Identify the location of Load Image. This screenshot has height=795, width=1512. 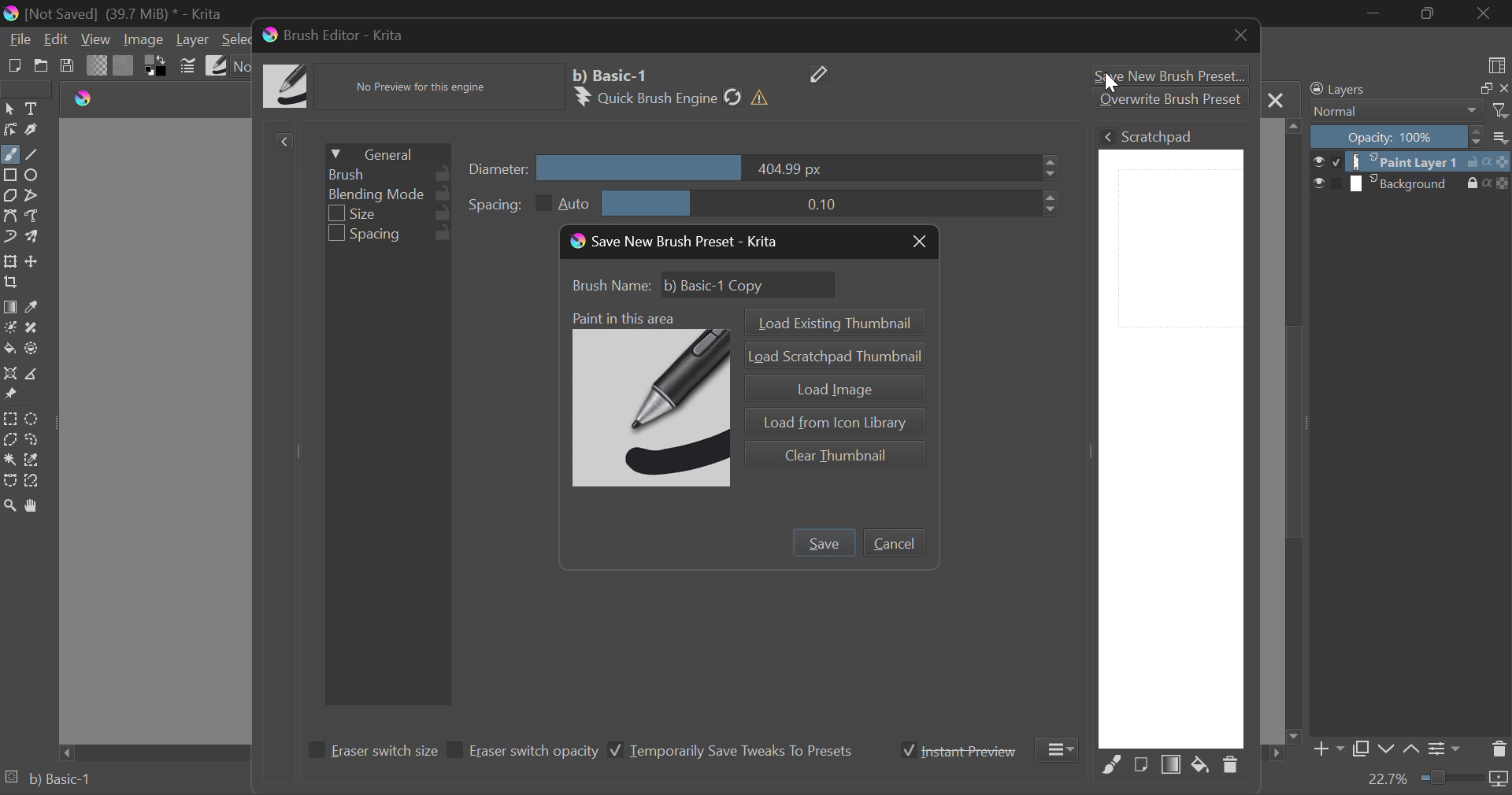
(833, 386).